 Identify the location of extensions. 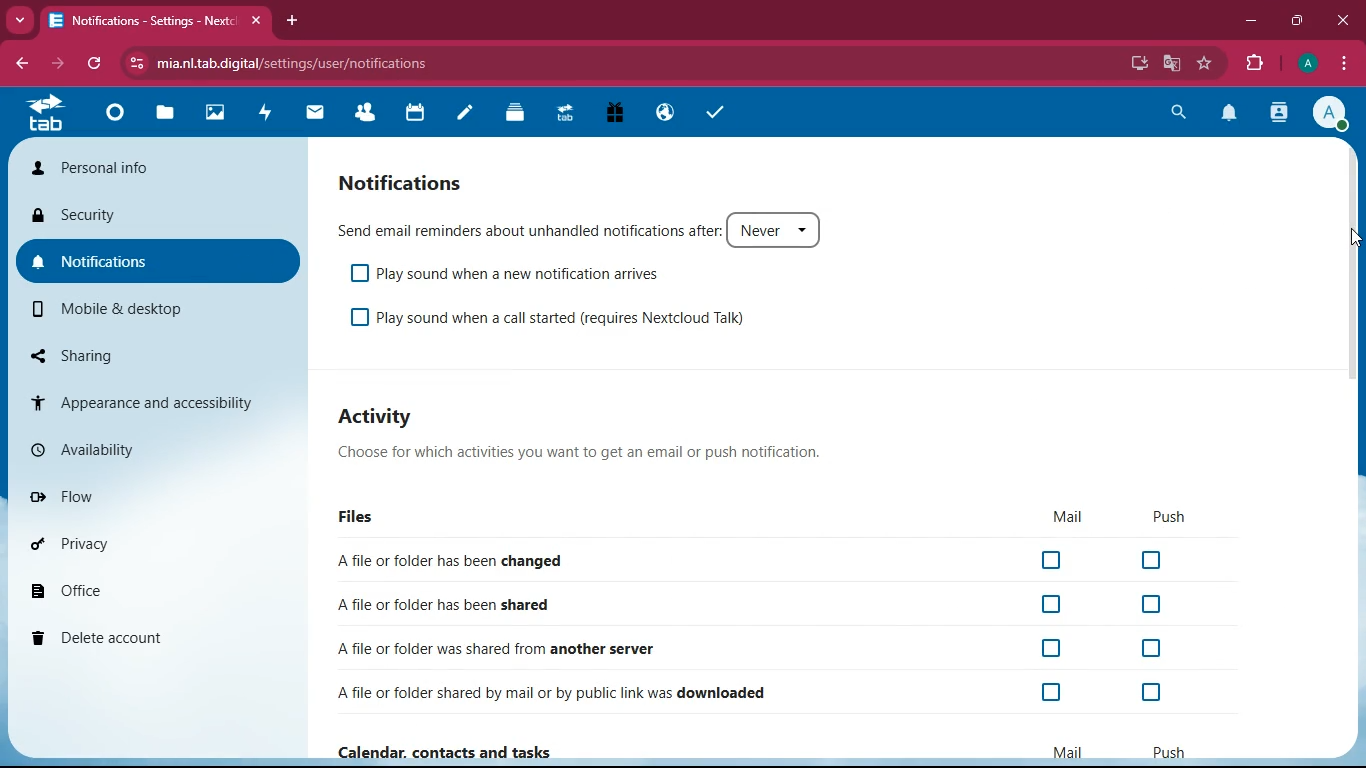
(1255, 66).